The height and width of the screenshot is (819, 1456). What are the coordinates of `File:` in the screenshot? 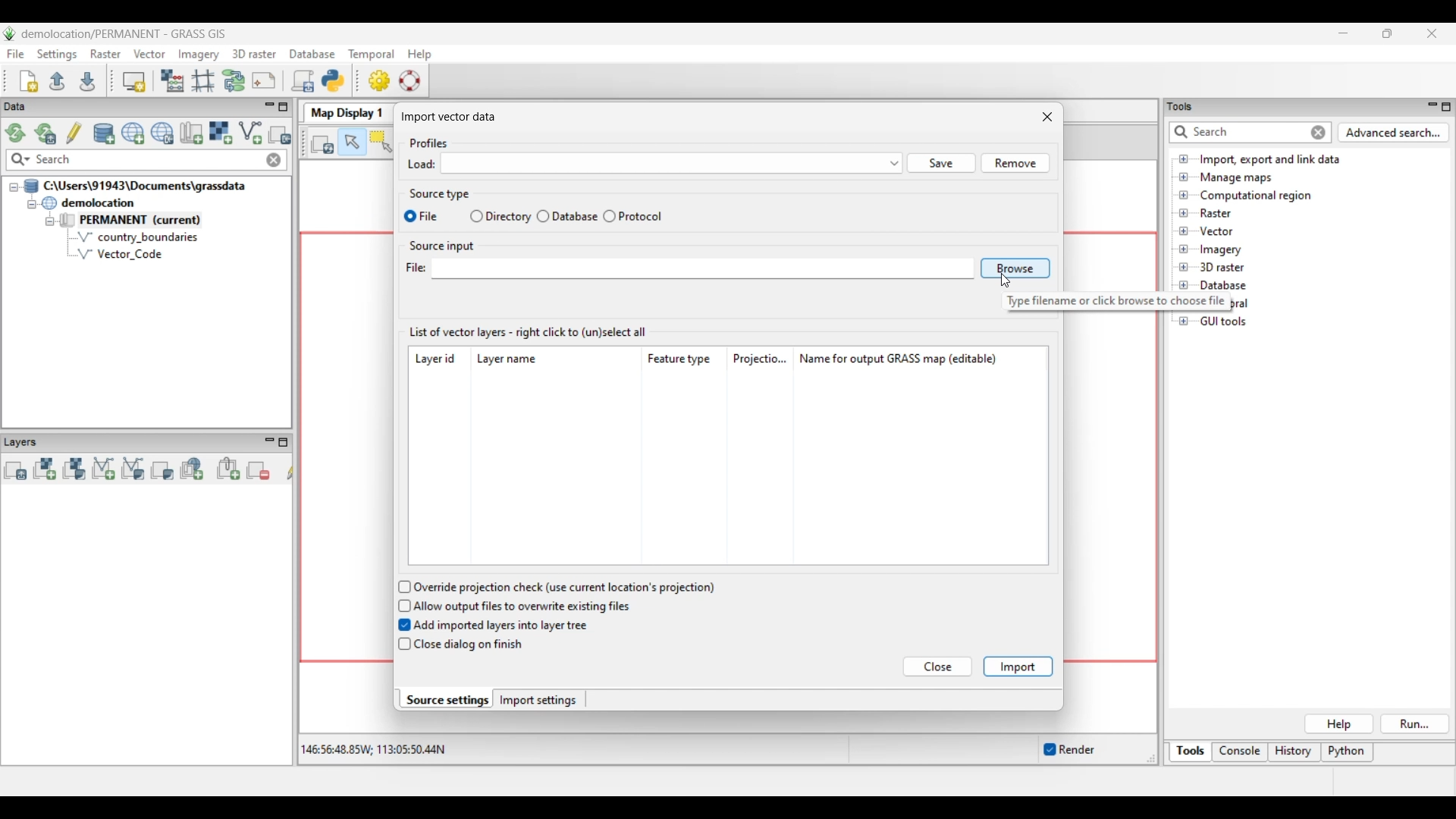 It's located at (414, 269).